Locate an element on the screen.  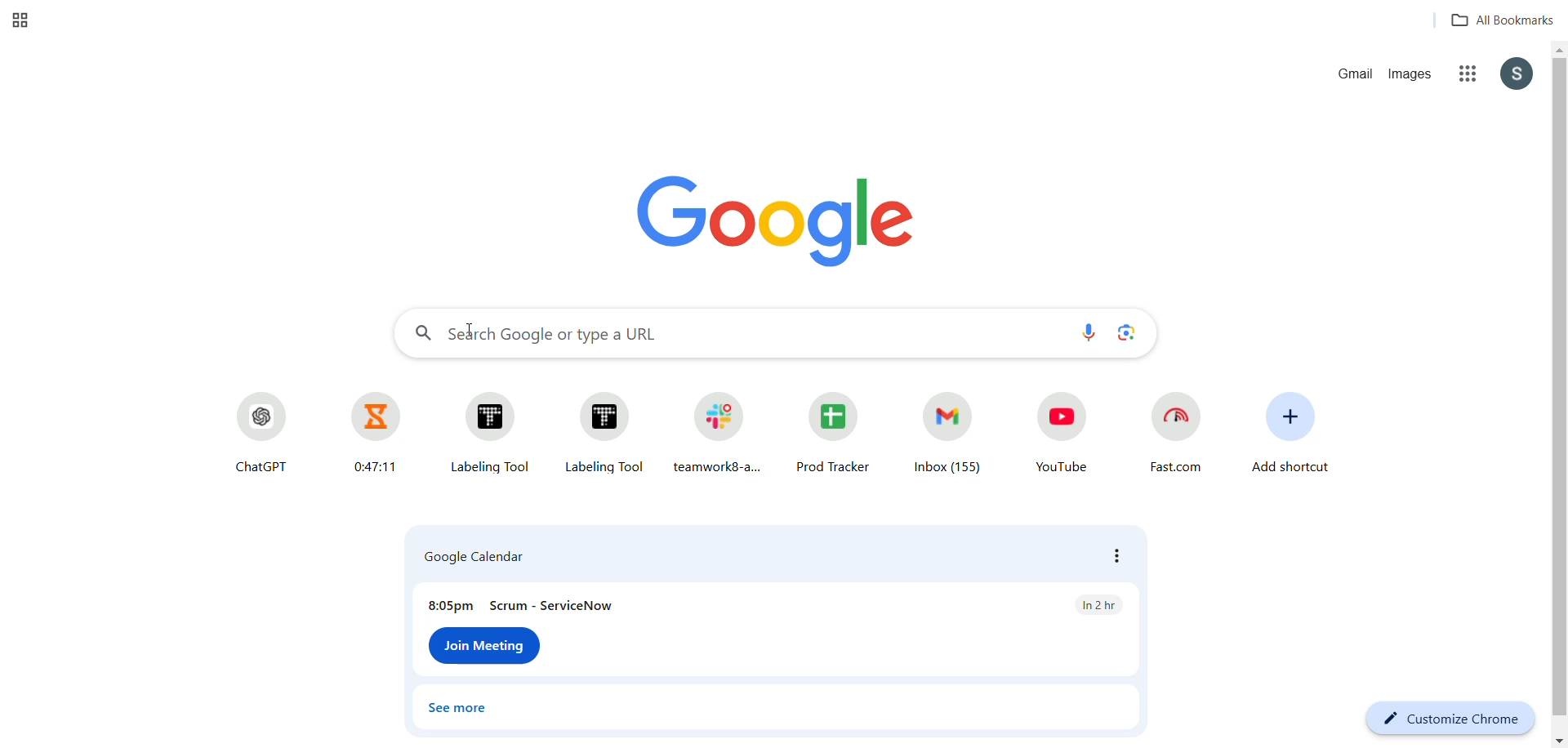
google logo is located at coordinates (777, 217).